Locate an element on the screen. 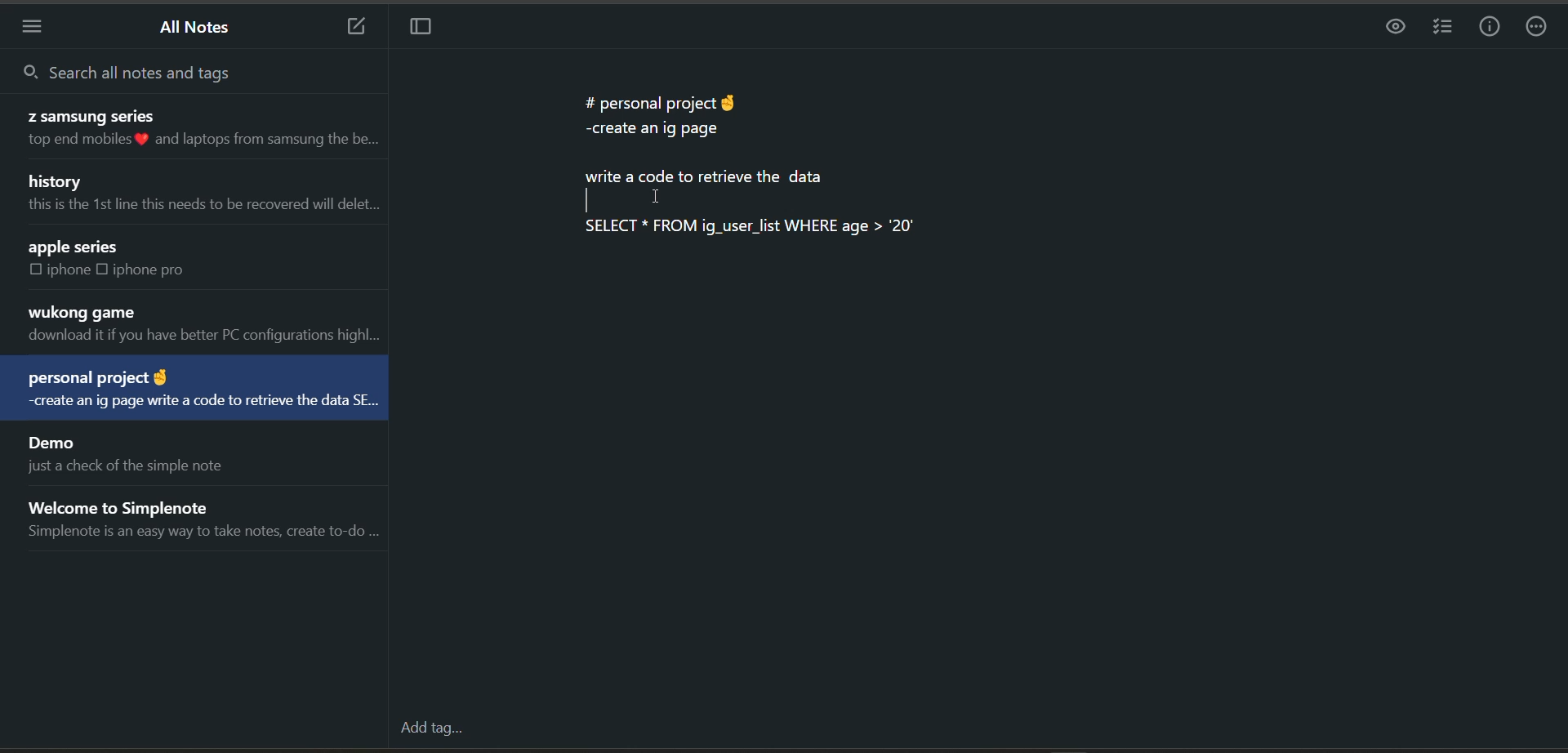 This screenshot has height=753, width=1568. insert checklist is located at coordinates (1441, 28).